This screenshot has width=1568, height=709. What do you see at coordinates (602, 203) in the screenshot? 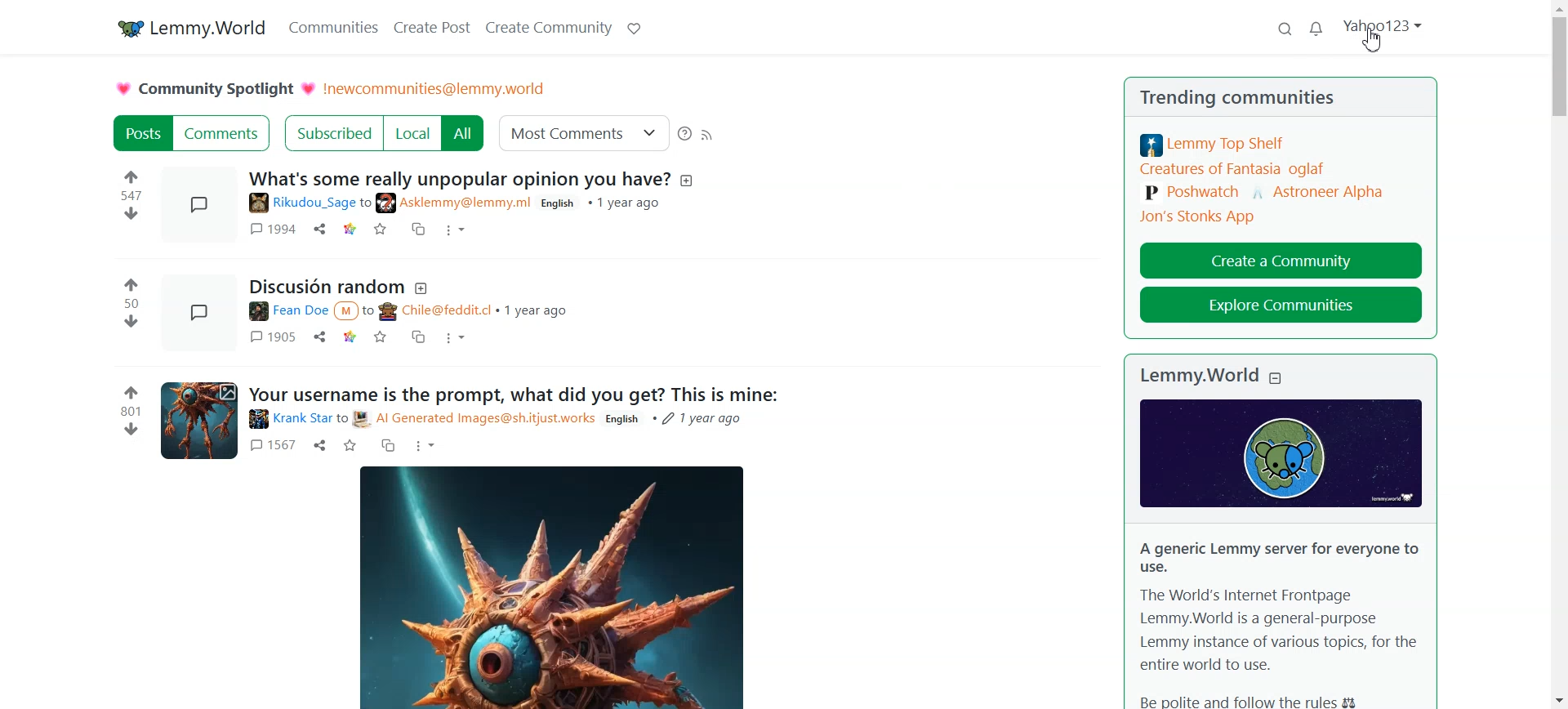
I see `English  1 year ago` at bounding box center [602, 203].